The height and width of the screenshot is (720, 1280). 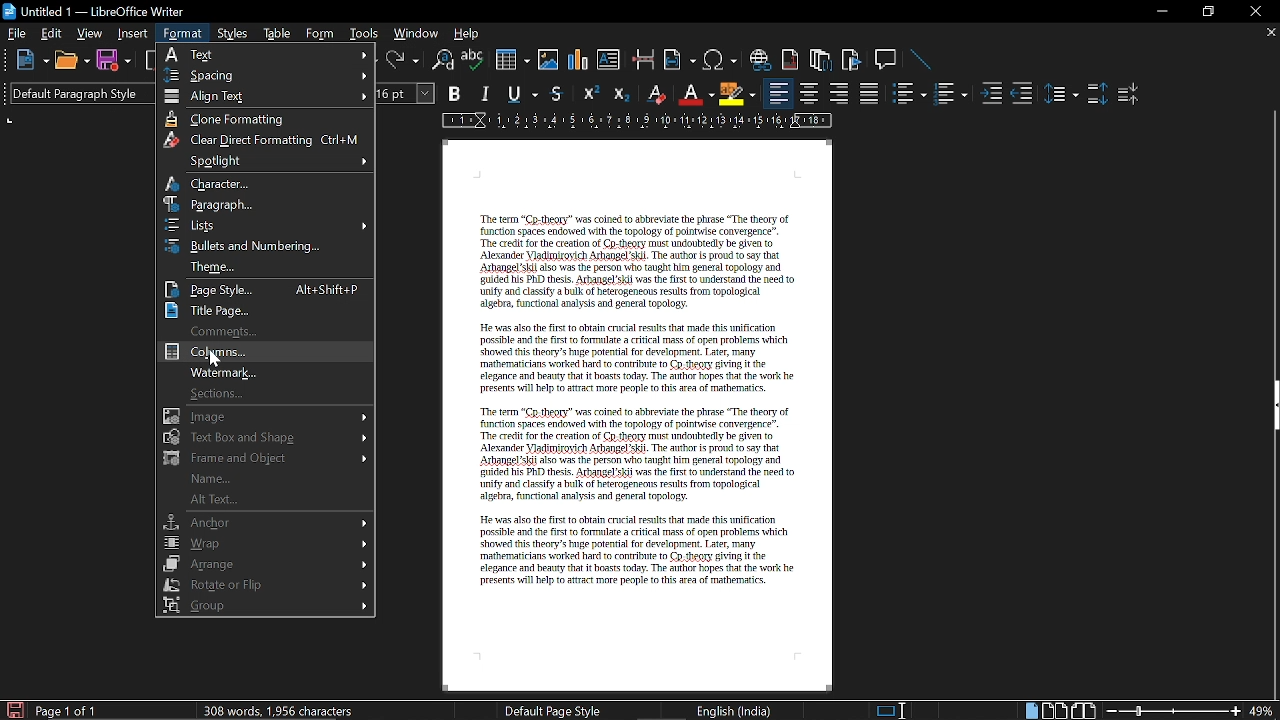 I want to click on Line, so click(x=925, y=61).